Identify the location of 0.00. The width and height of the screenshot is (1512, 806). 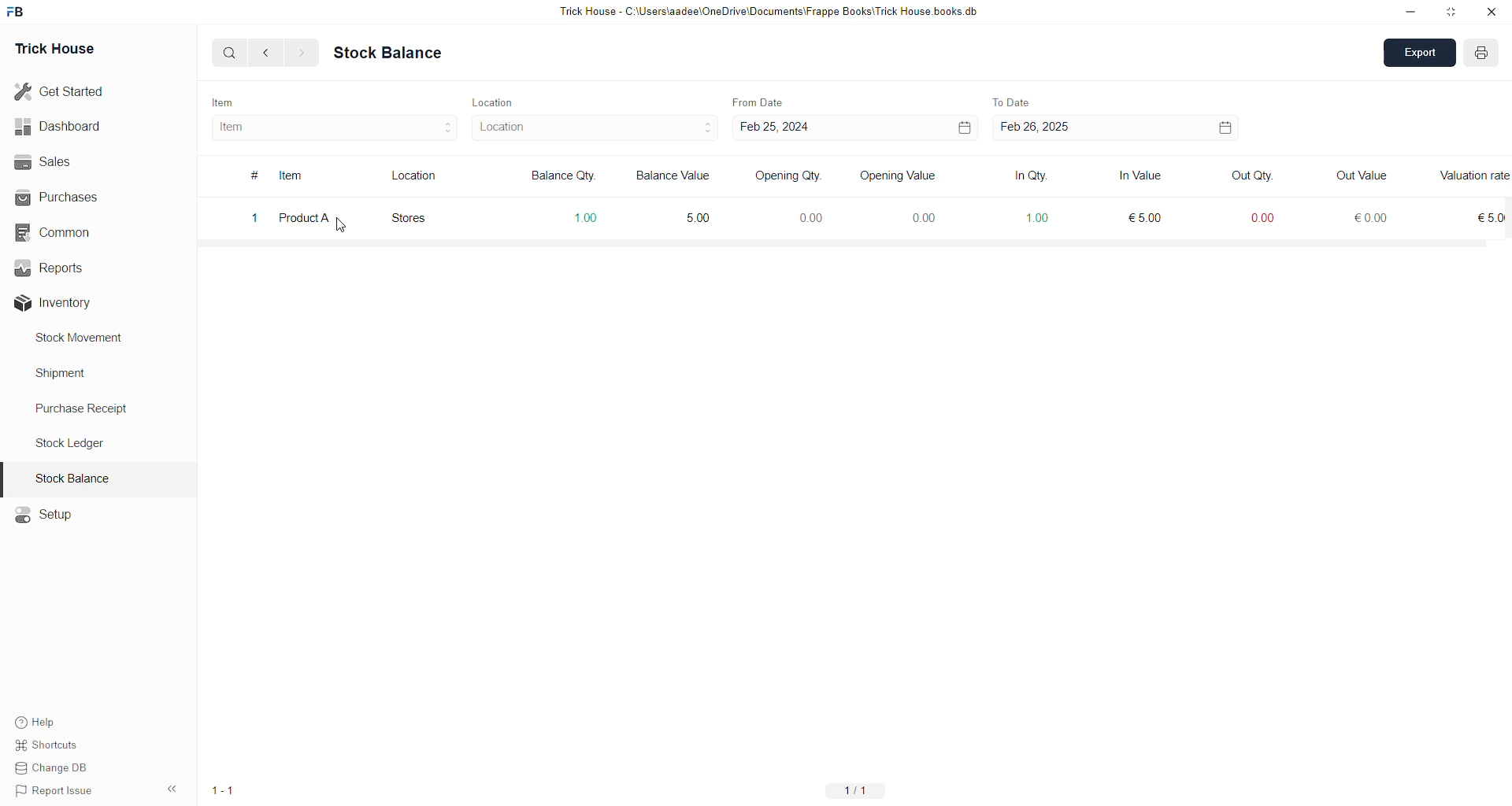
(1254, 217).